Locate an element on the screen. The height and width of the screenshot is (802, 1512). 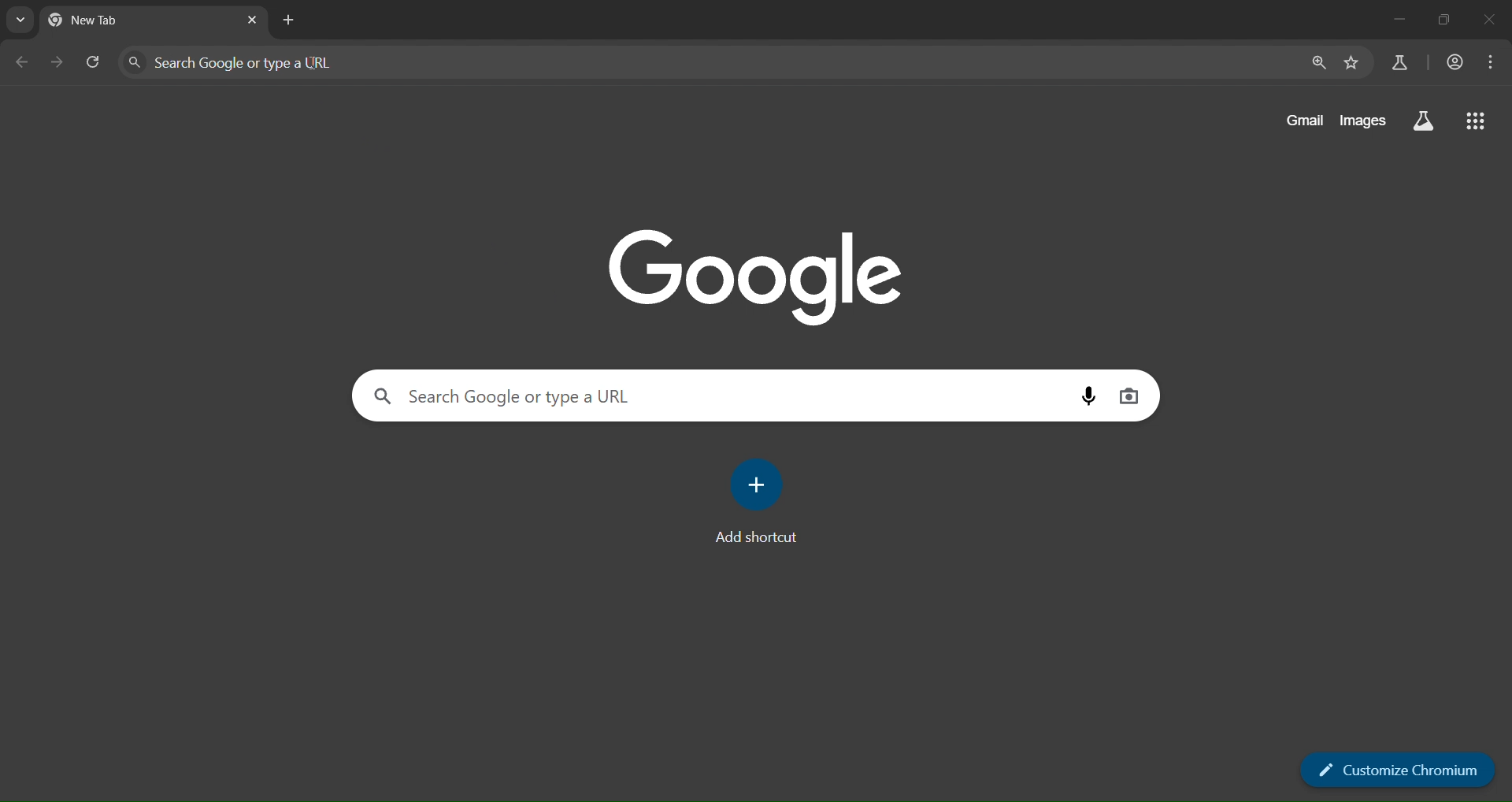
voice search is located at coordinates (1085, 395).